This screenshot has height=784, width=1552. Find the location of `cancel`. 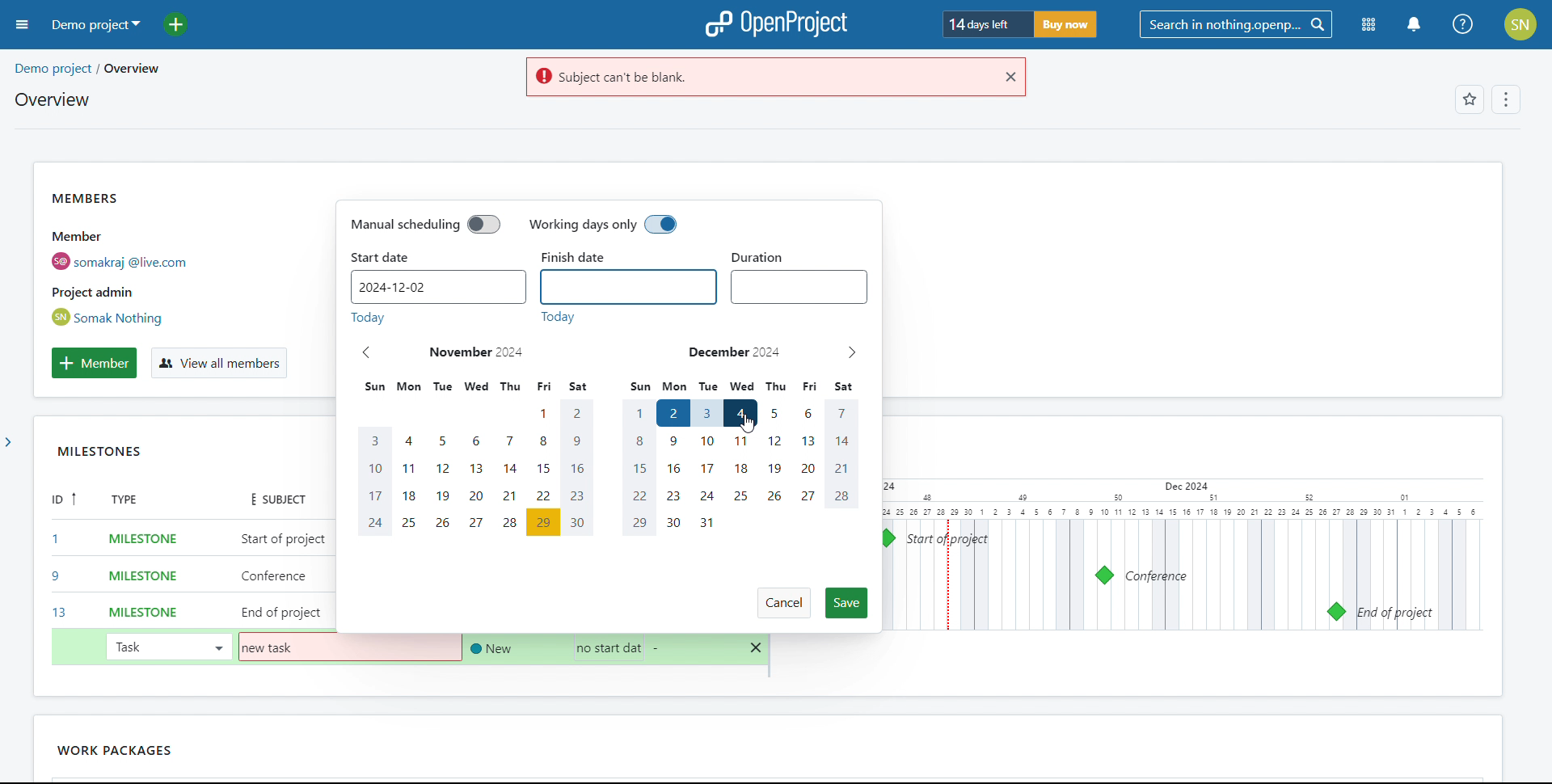

cancel is located at coordinates (783, 603).